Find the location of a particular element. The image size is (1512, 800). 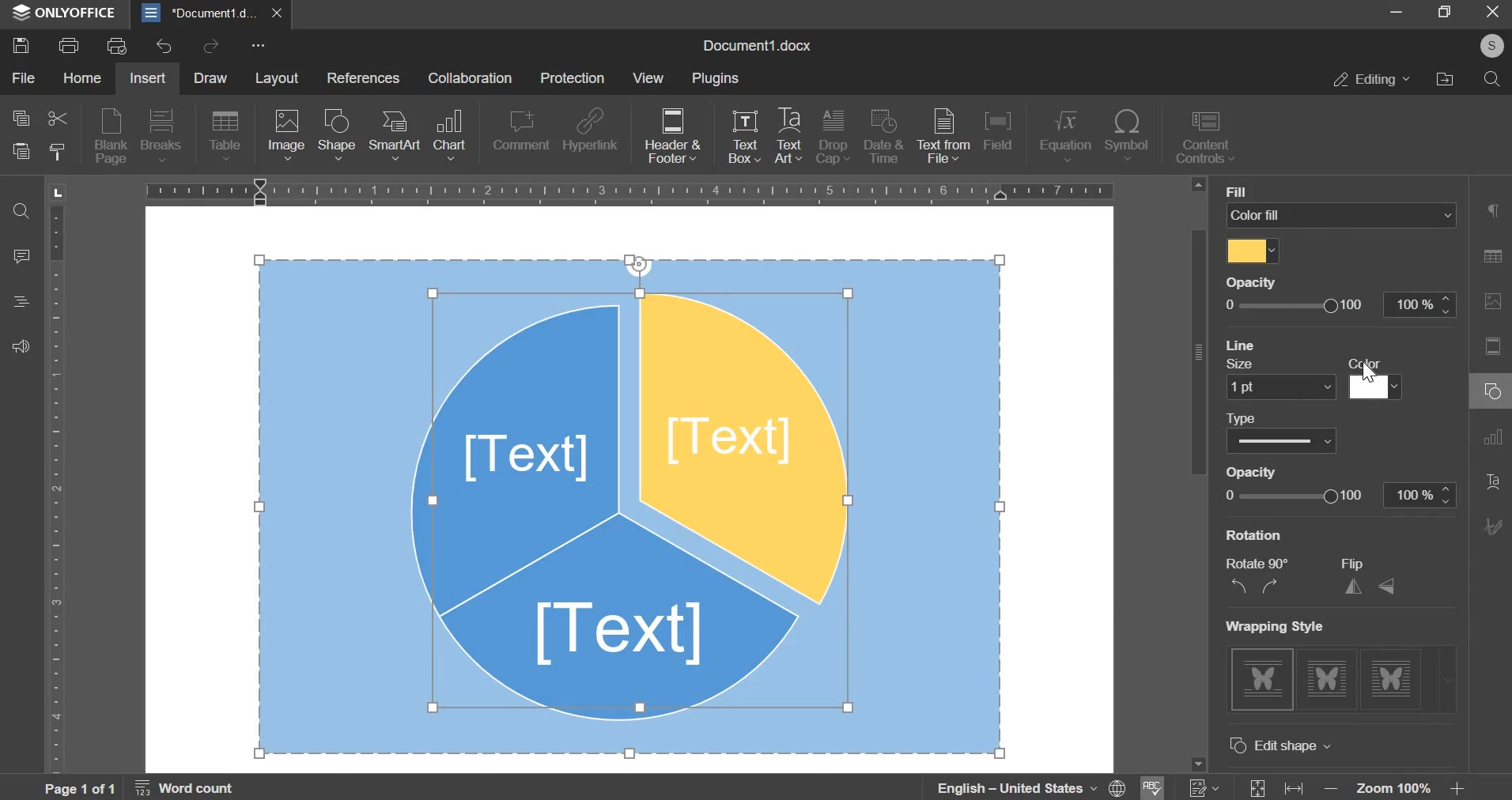

comment is located at coordinates (520, 130).